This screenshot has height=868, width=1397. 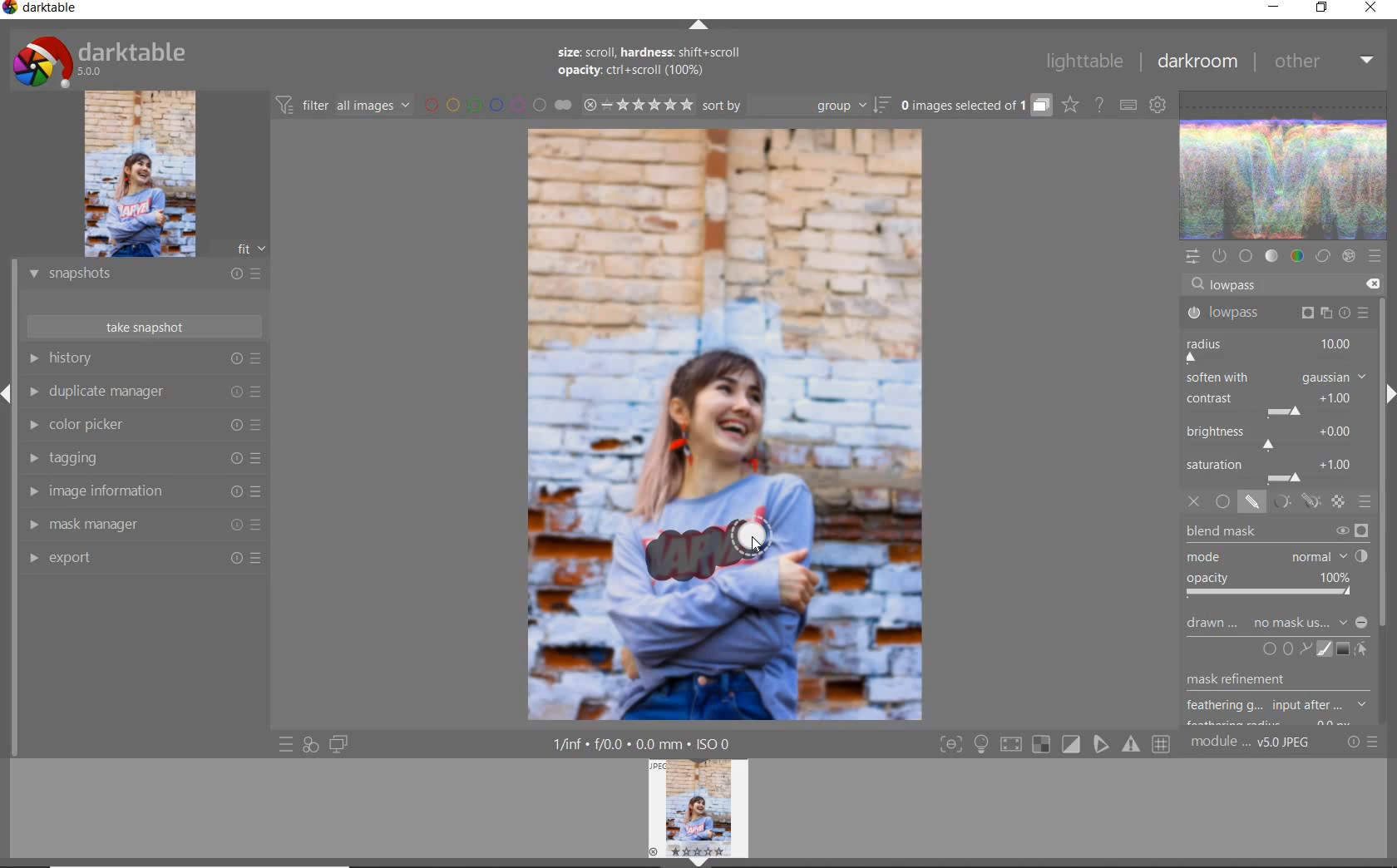 I want to click on show only active modules, so click(x=1220, y=257).